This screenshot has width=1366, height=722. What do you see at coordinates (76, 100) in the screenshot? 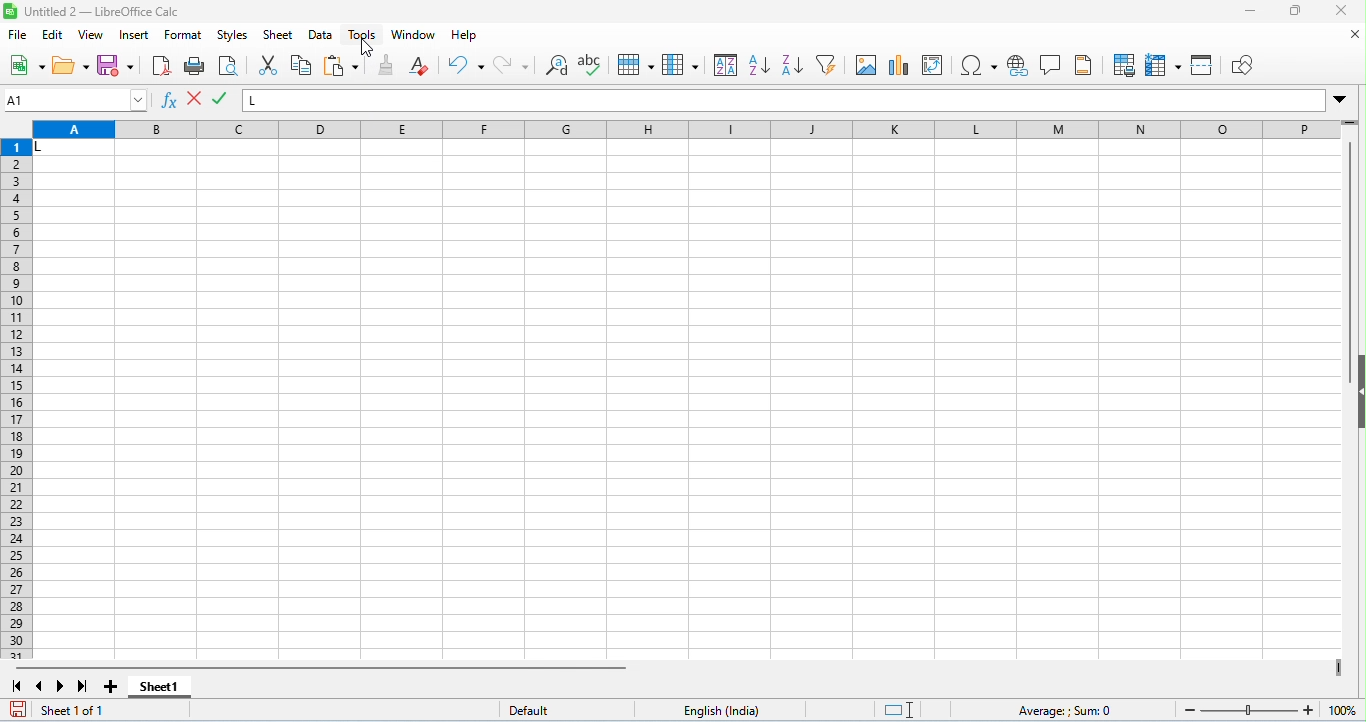
I see `selected cell number` at bounding box center [76, 100].